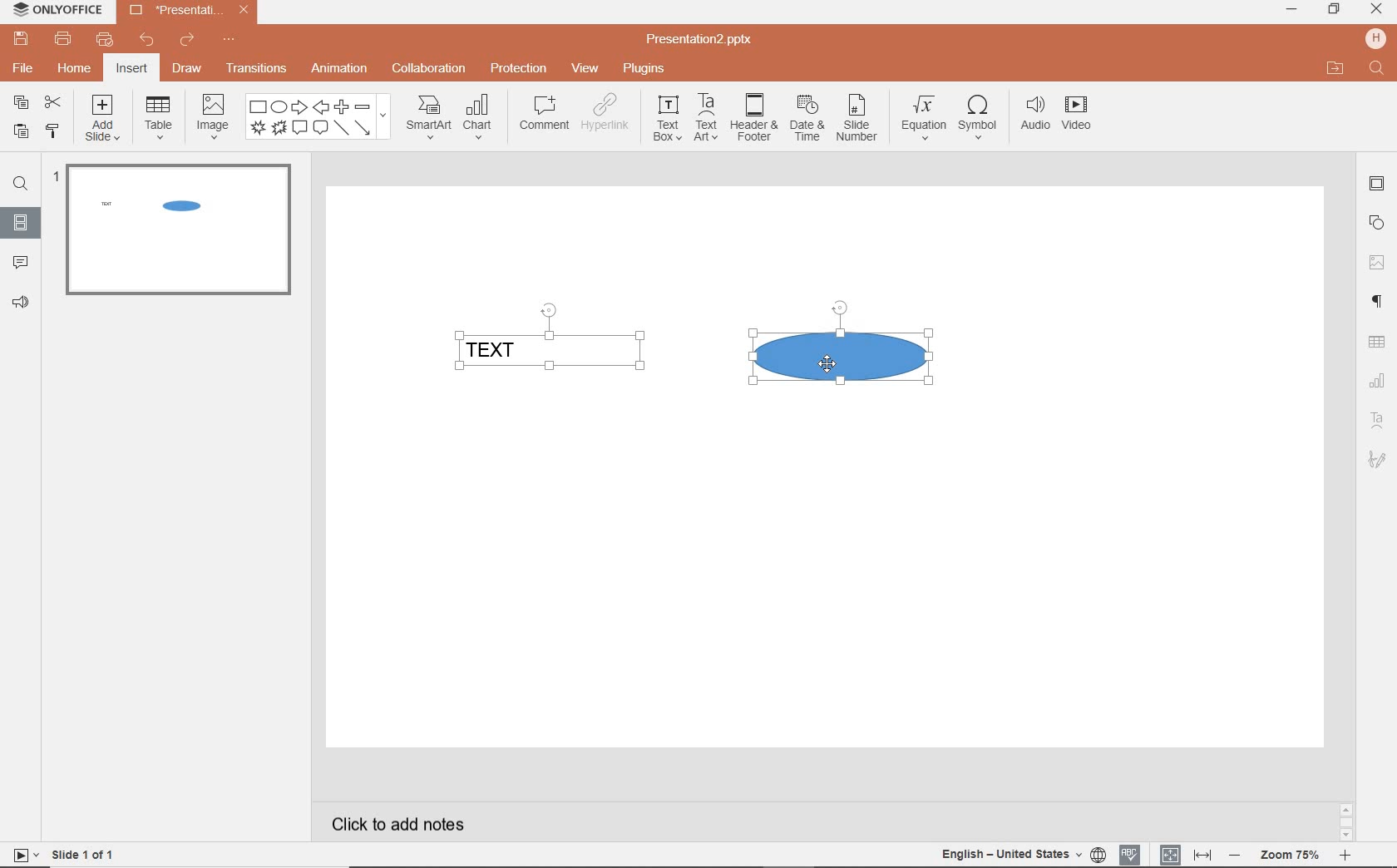  What do you see at coordinates (518, 68) in the screenshot?
I see `protection` at bounding box center [518, 68].